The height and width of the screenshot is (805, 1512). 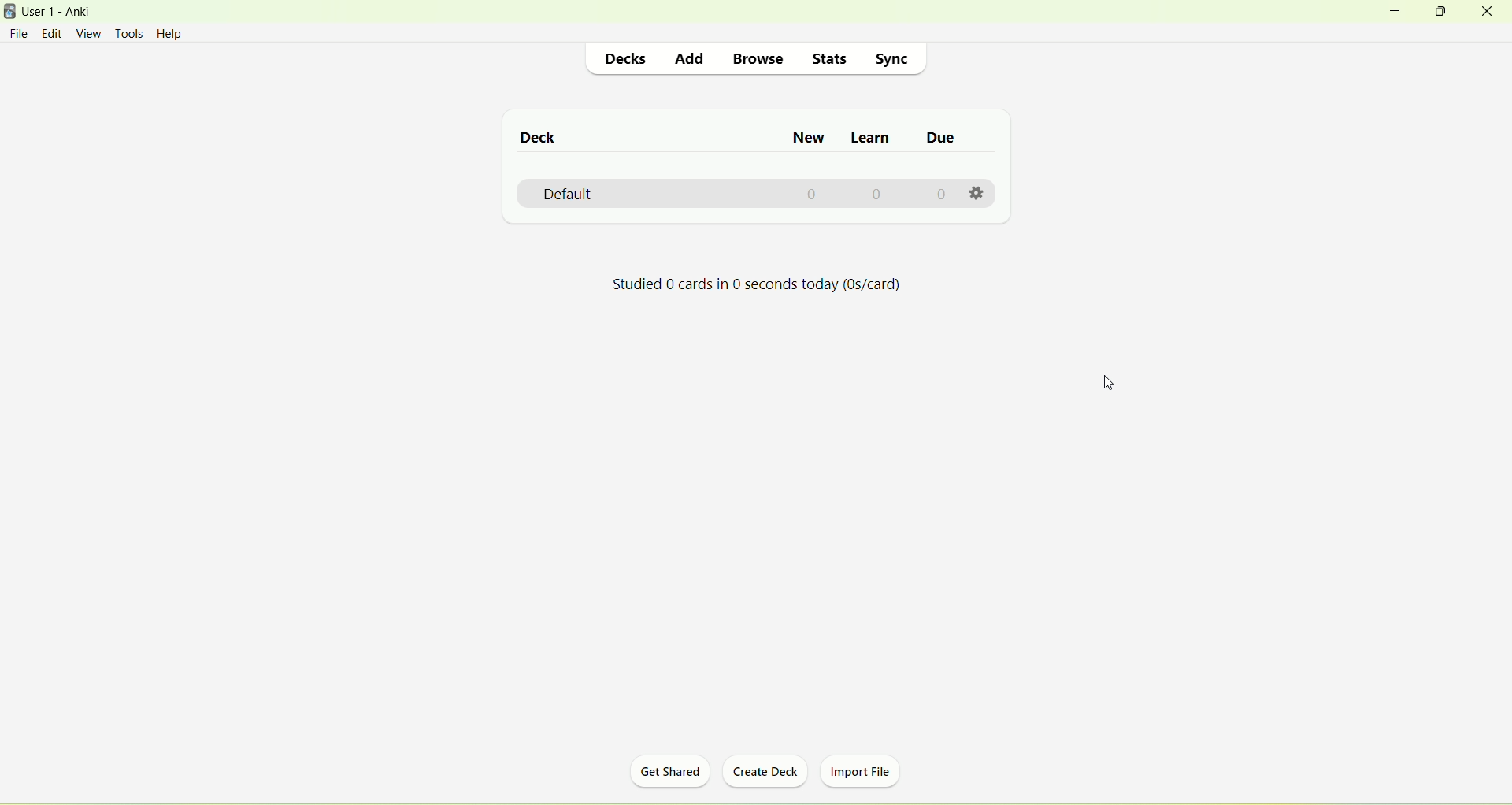 What do you see at coordinates (689, 61) in the screenshot?
I see `add` at bounding box center [689, 61].